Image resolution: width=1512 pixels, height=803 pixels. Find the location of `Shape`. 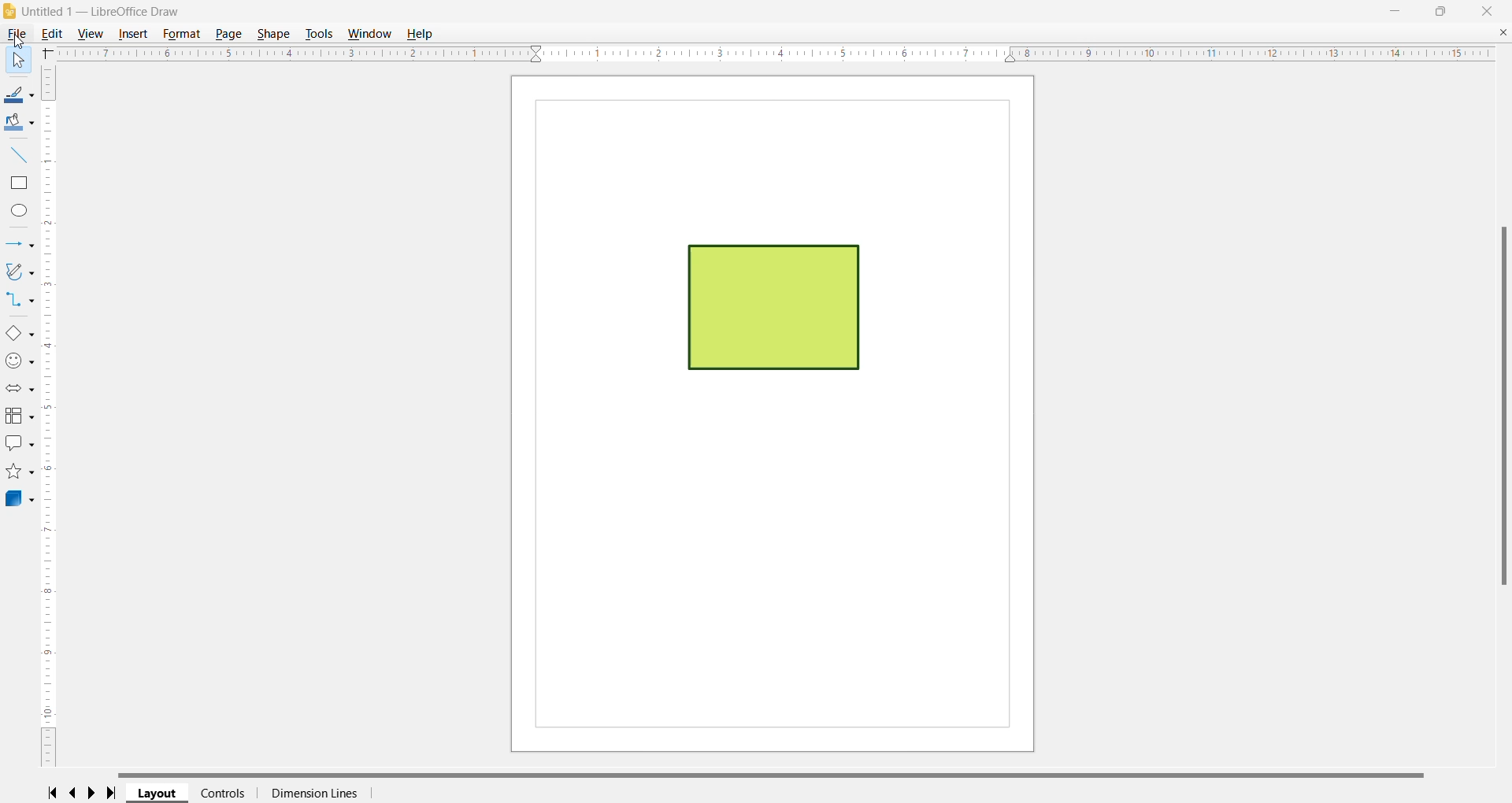

Shape is located at coordinates (273, 34).